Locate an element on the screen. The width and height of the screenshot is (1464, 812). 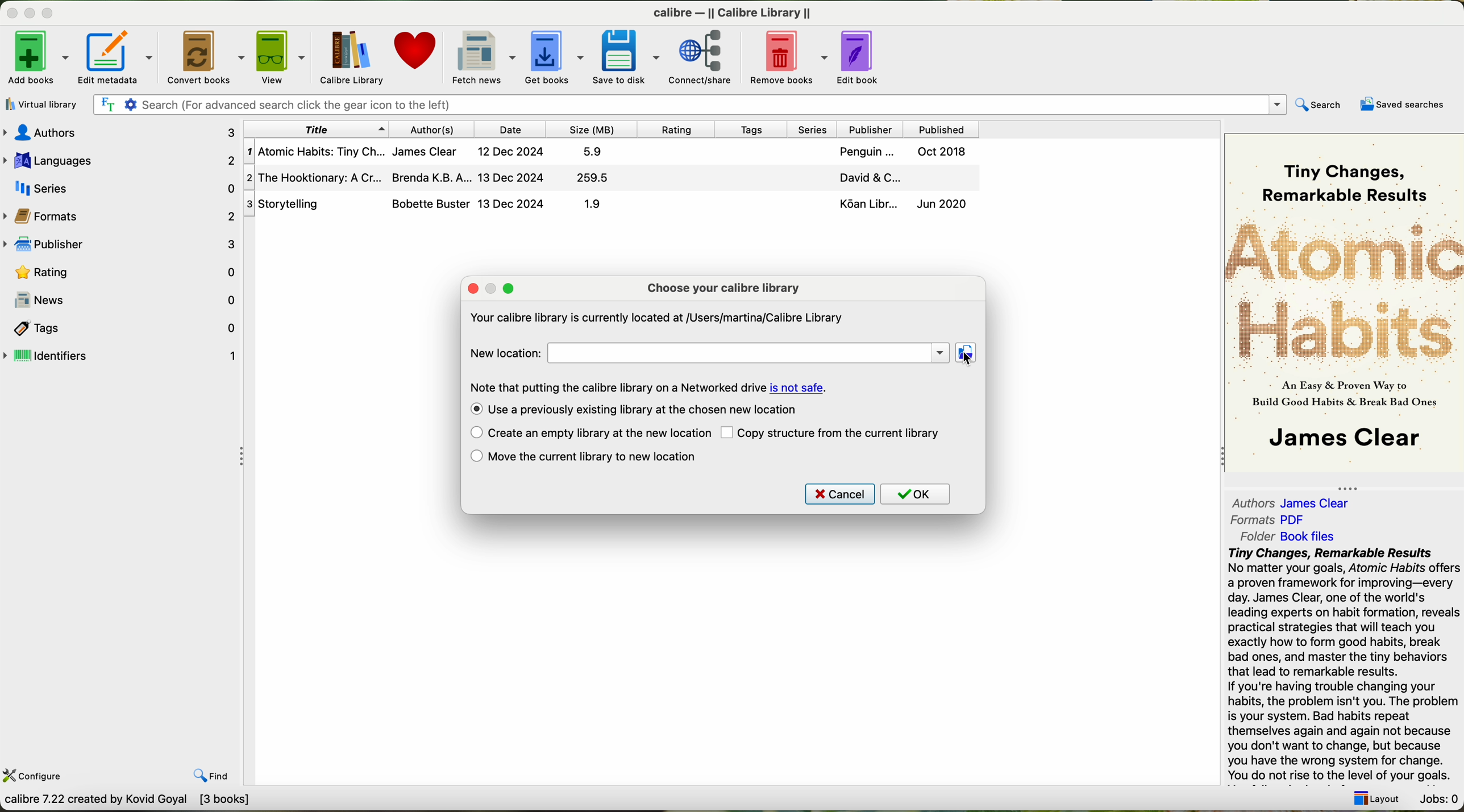
Collapse is located at coordinates (244, 457).